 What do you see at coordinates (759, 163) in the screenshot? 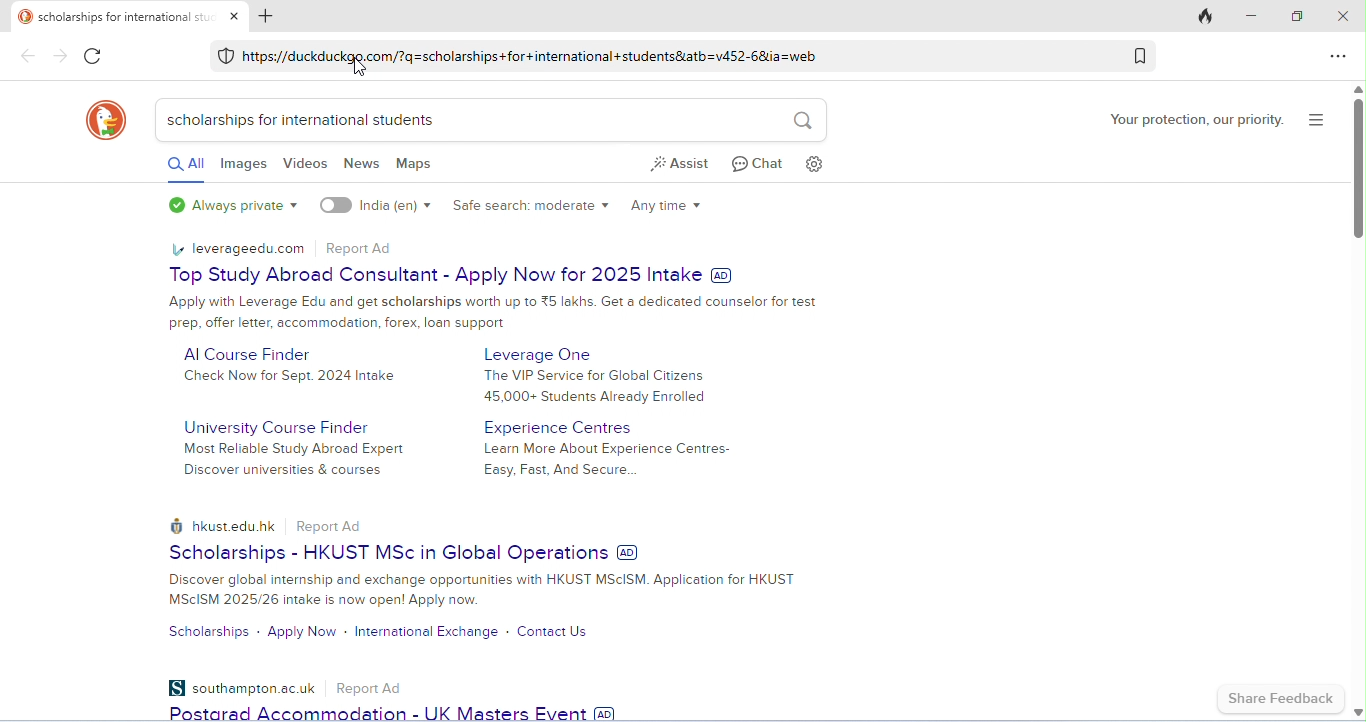
I see `chat` at bounding box center [759, 163].